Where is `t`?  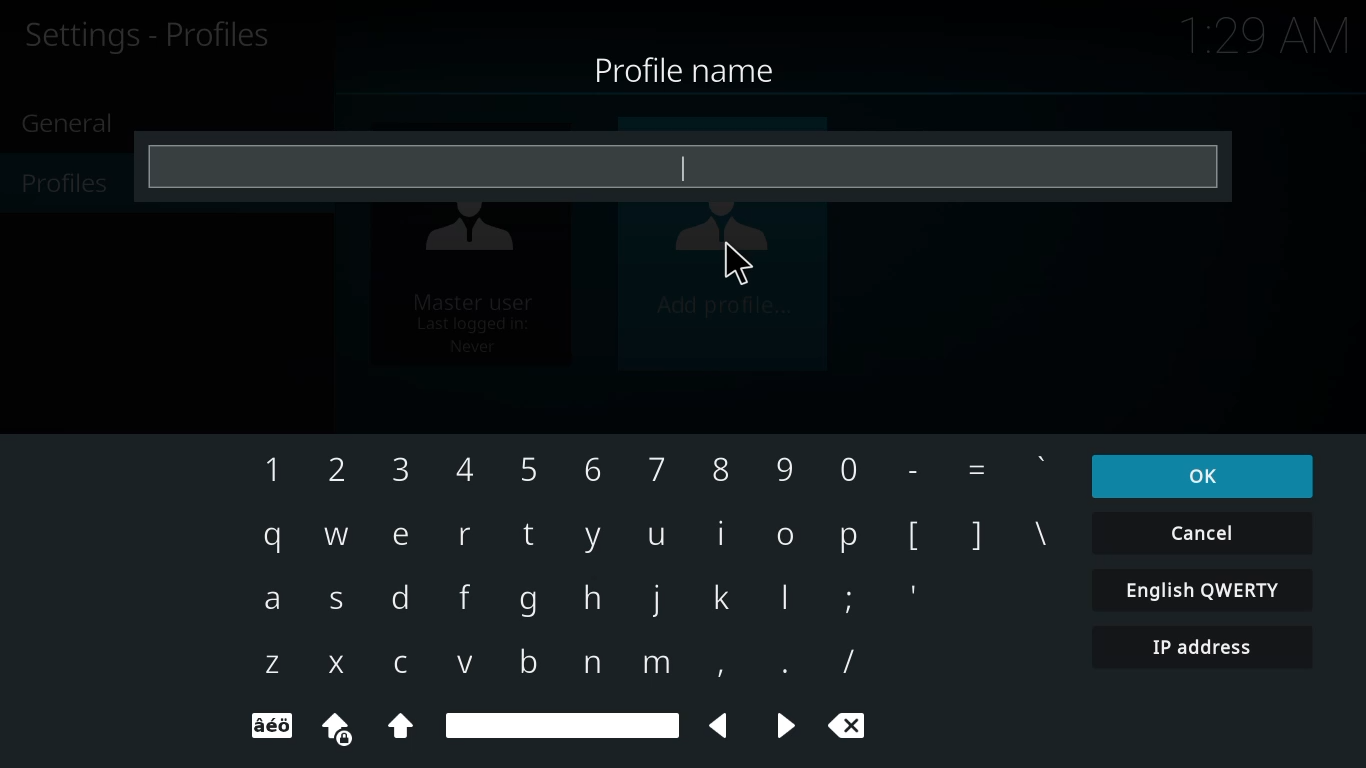
t is located at coordinates (526, 537).